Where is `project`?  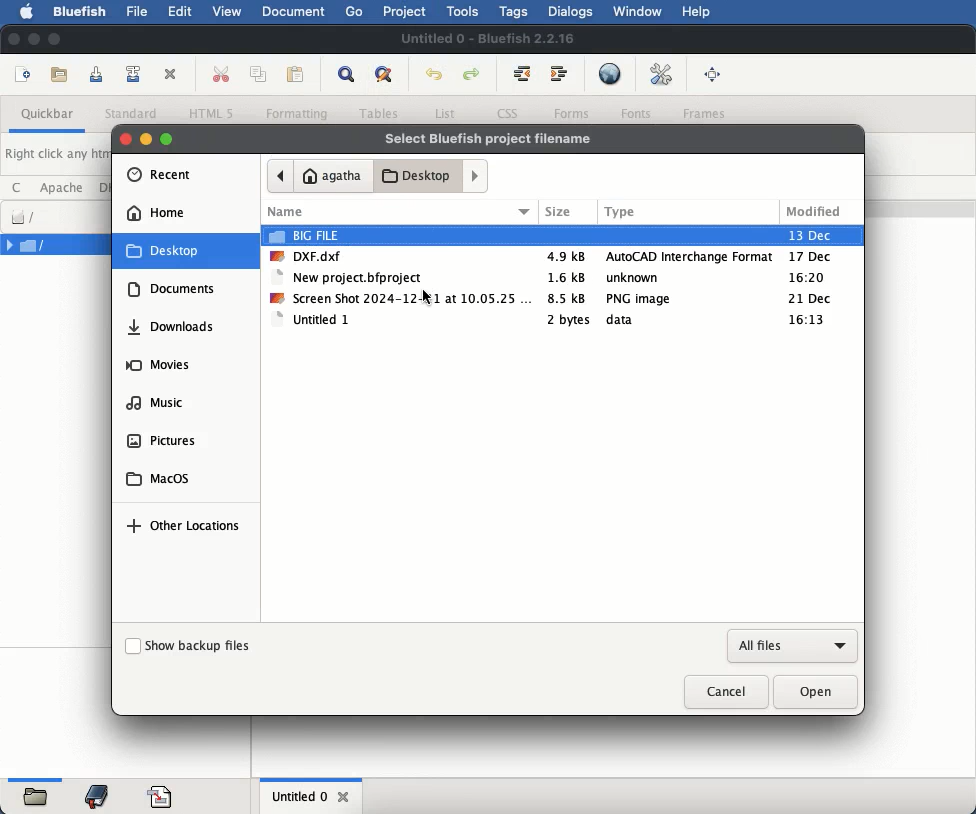 project is located at coordinates (406, 13).